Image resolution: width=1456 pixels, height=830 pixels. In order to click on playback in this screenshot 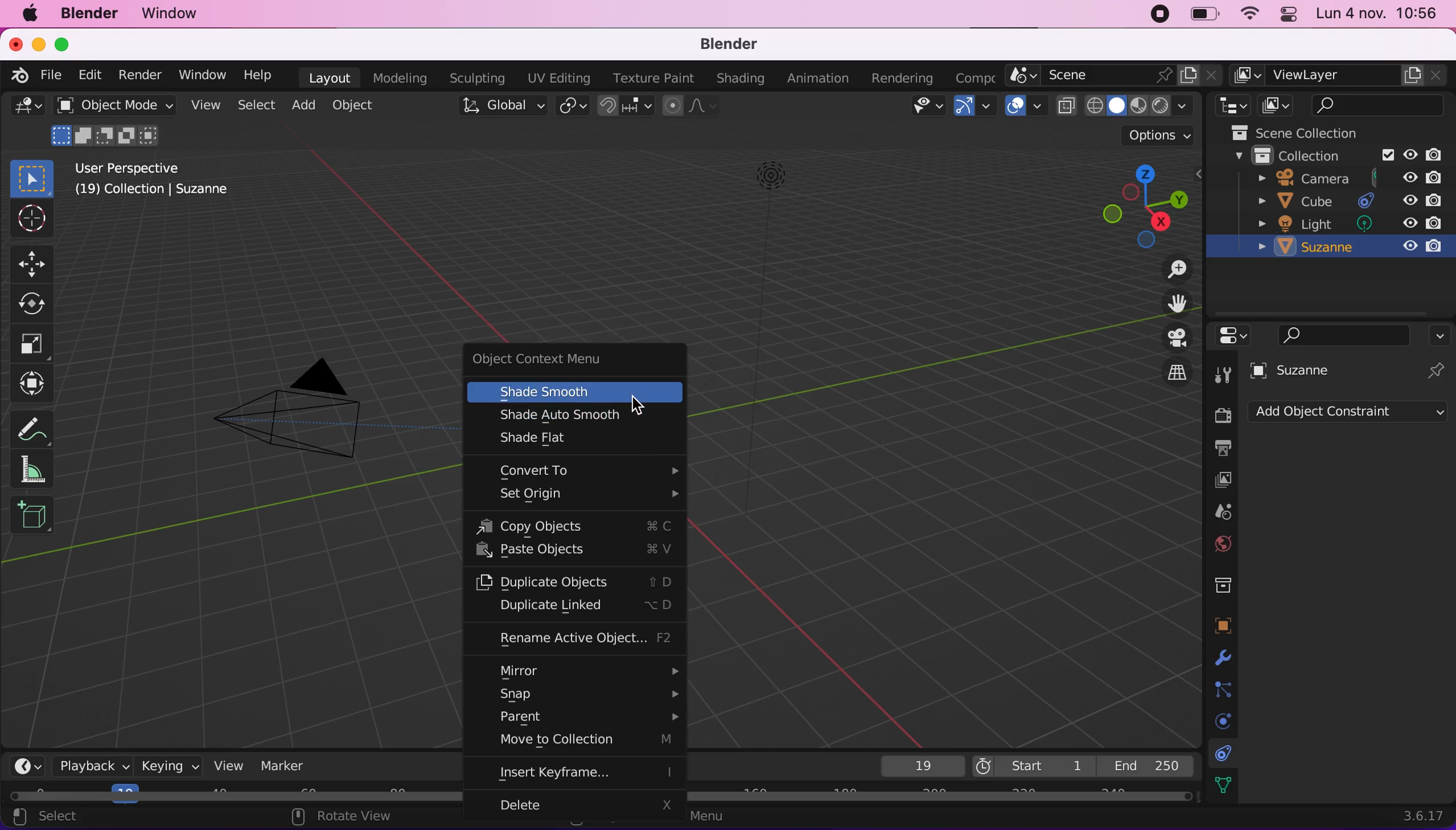, I will do `click(93, 766)`.